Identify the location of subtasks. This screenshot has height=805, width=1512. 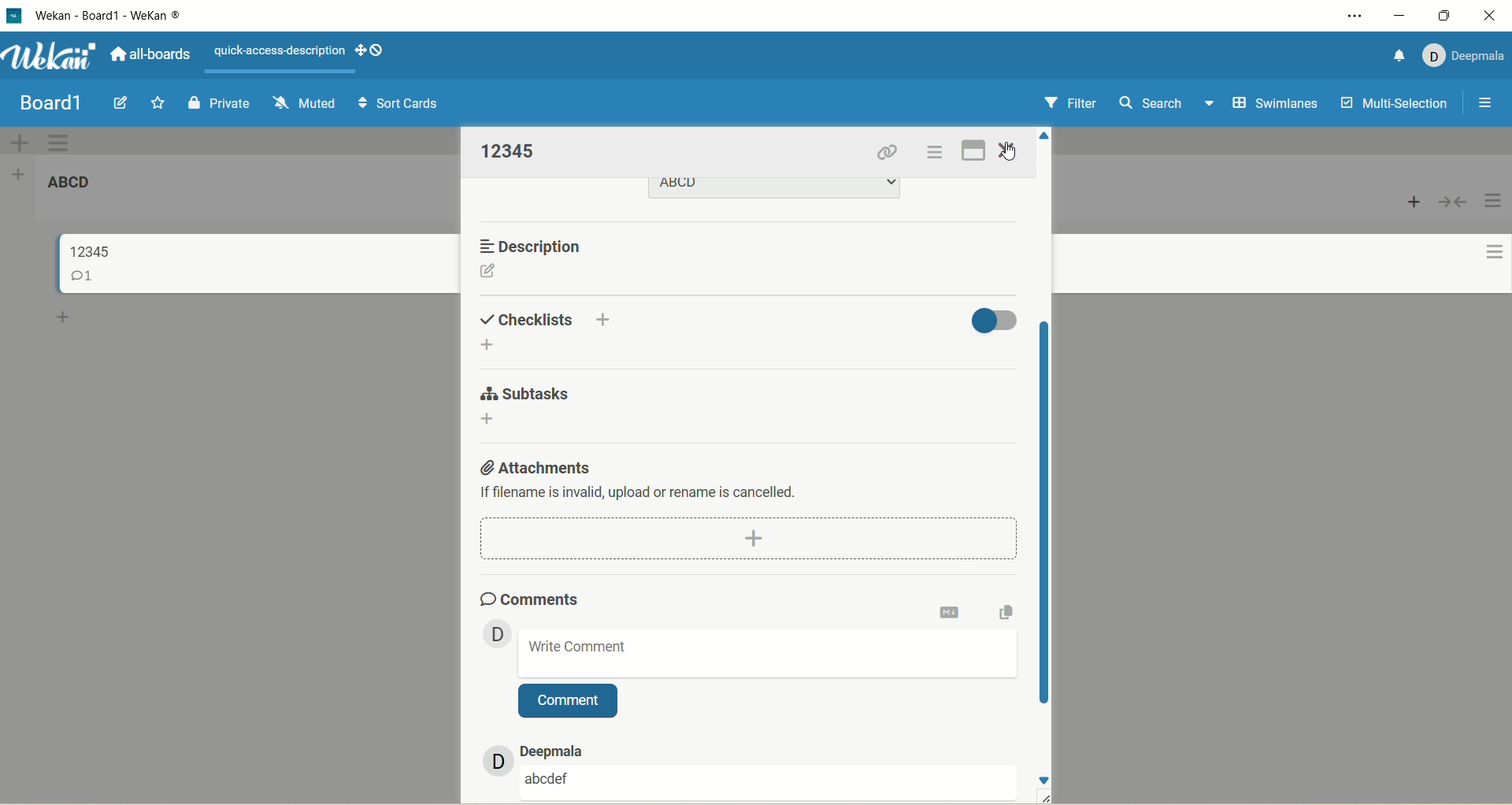
(523, 394).